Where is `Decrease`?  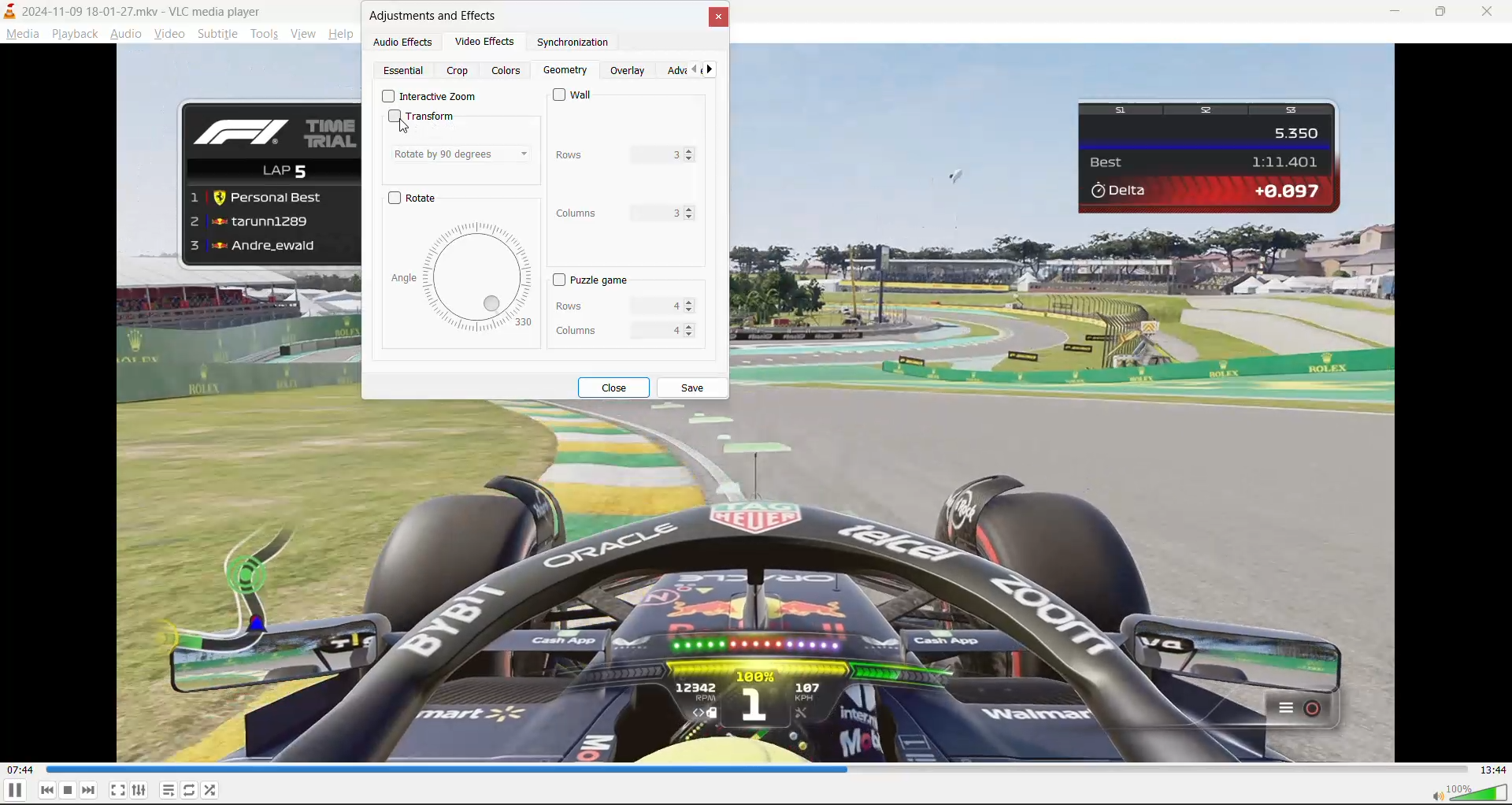
Decrease is located at coordinates (691, 333).